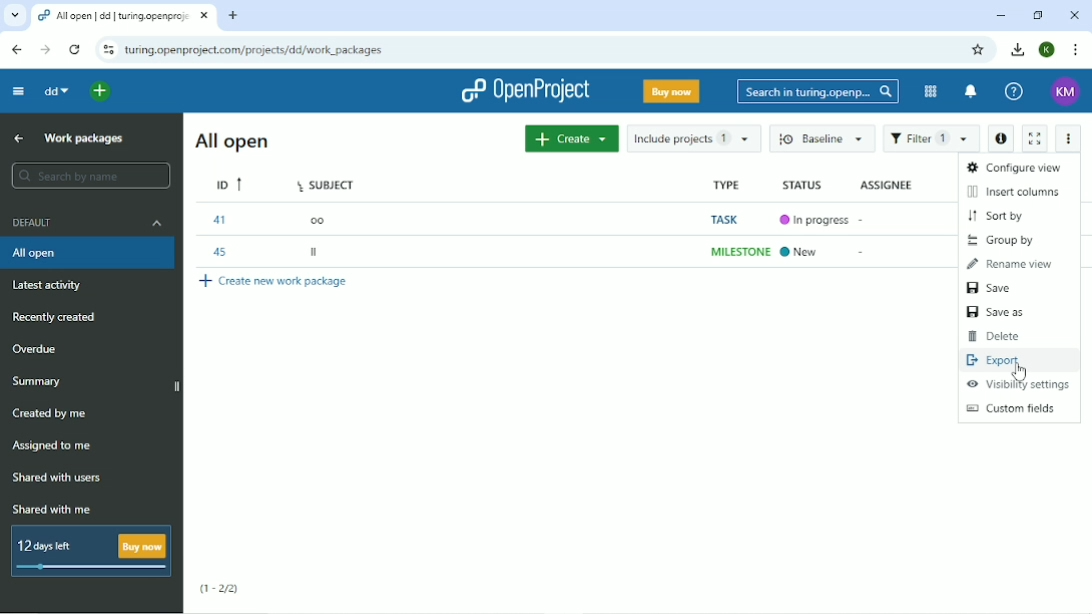 This screenshot has height=614, width=1092. I want to click on Close, so click(1074, 15).